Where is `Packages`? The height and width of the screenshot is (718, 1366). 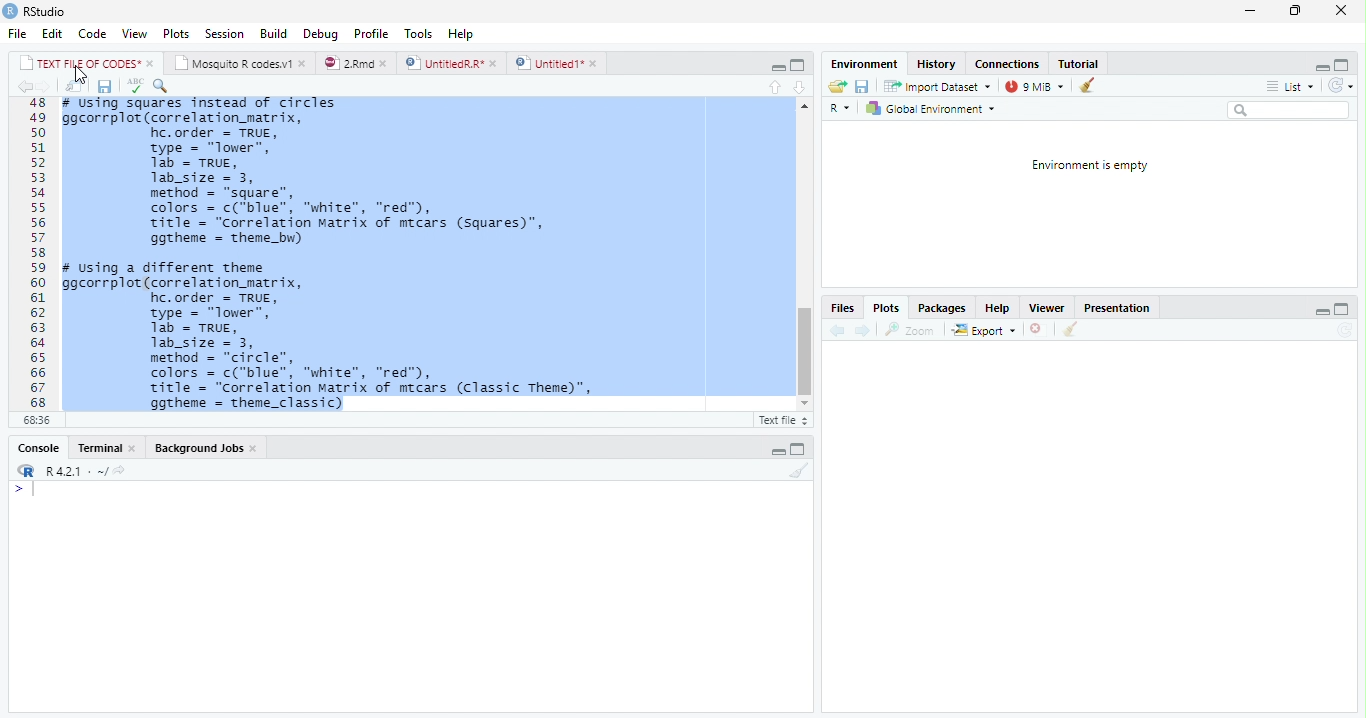 Packages is located at coordinates (939, 309).